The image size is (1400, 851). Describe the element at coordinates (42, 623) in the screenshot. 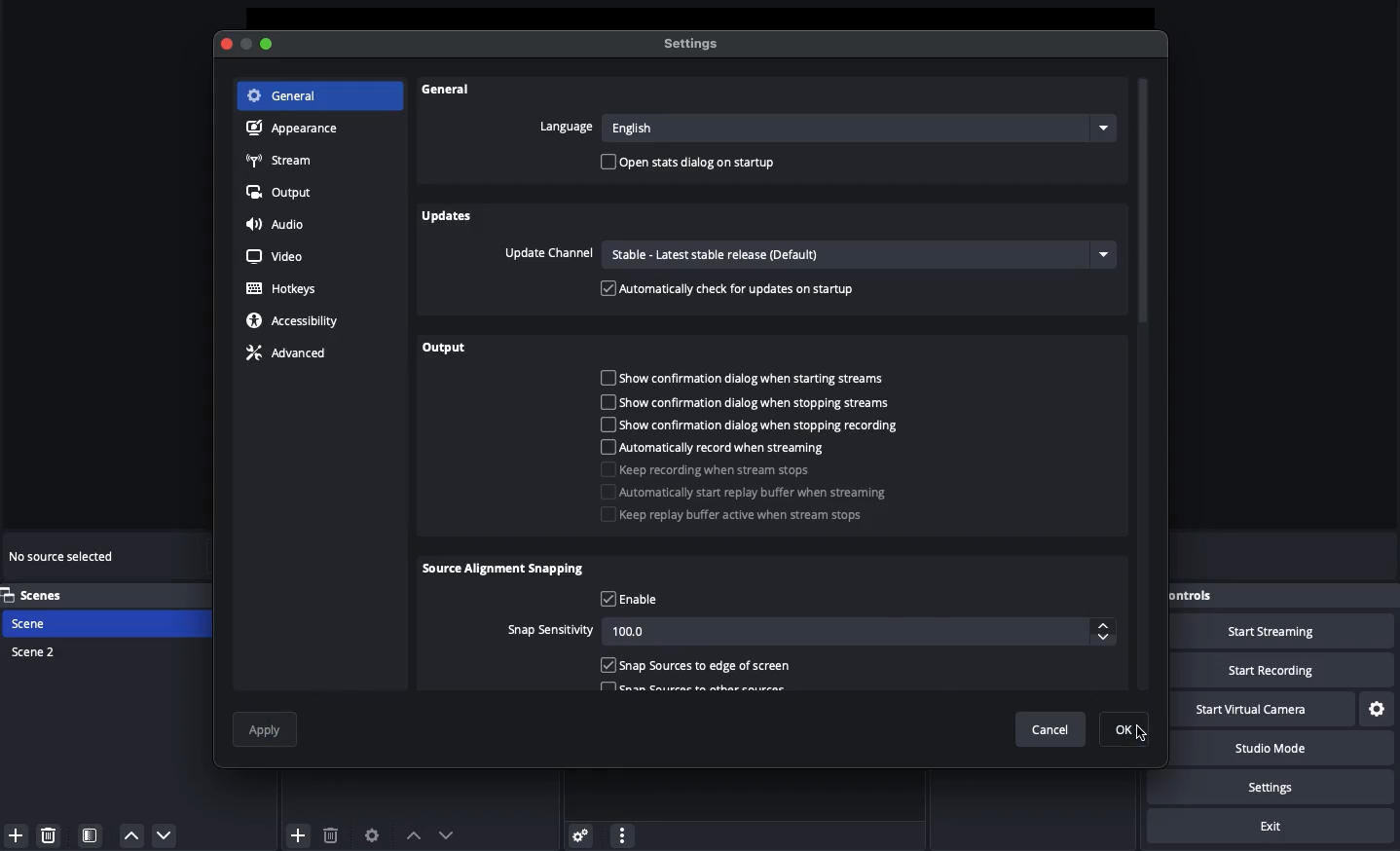

I see `Scene 1` at that location.